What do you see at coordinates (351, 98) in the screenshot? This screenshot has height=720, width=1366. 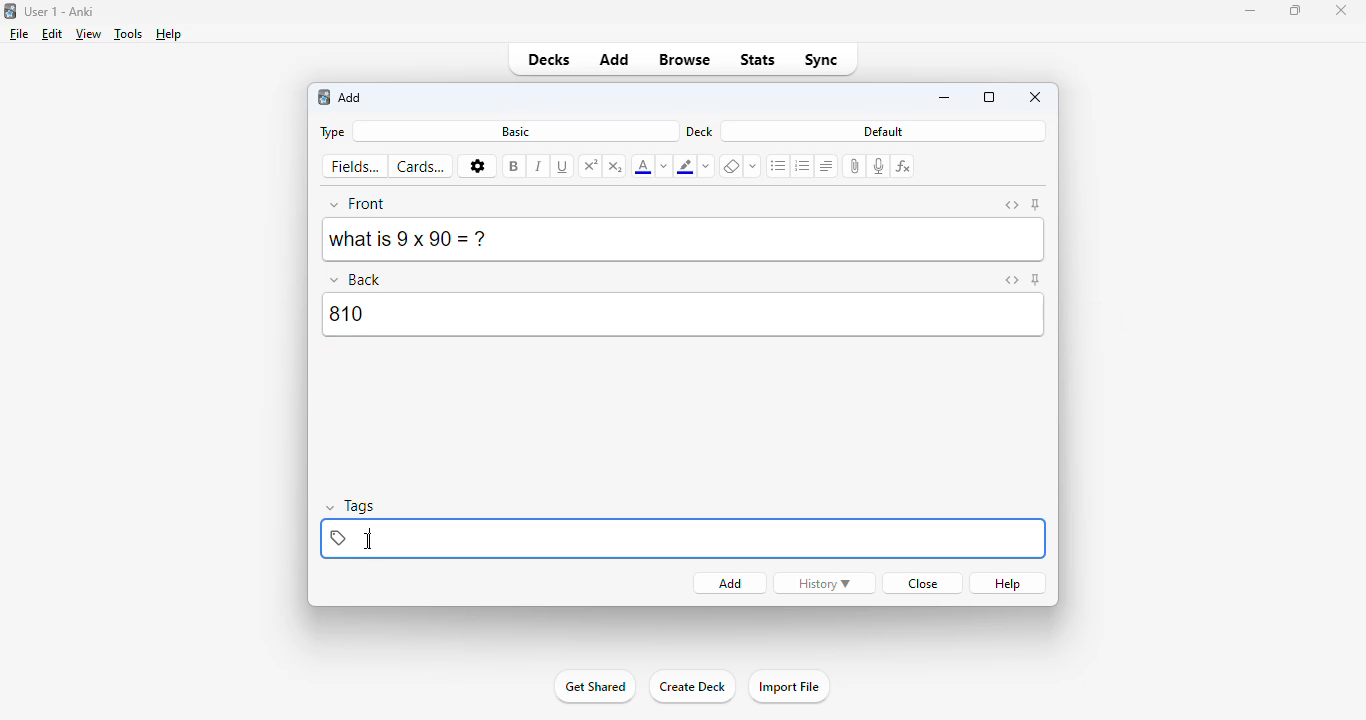 I see `add` at bounding box center [351, 98].